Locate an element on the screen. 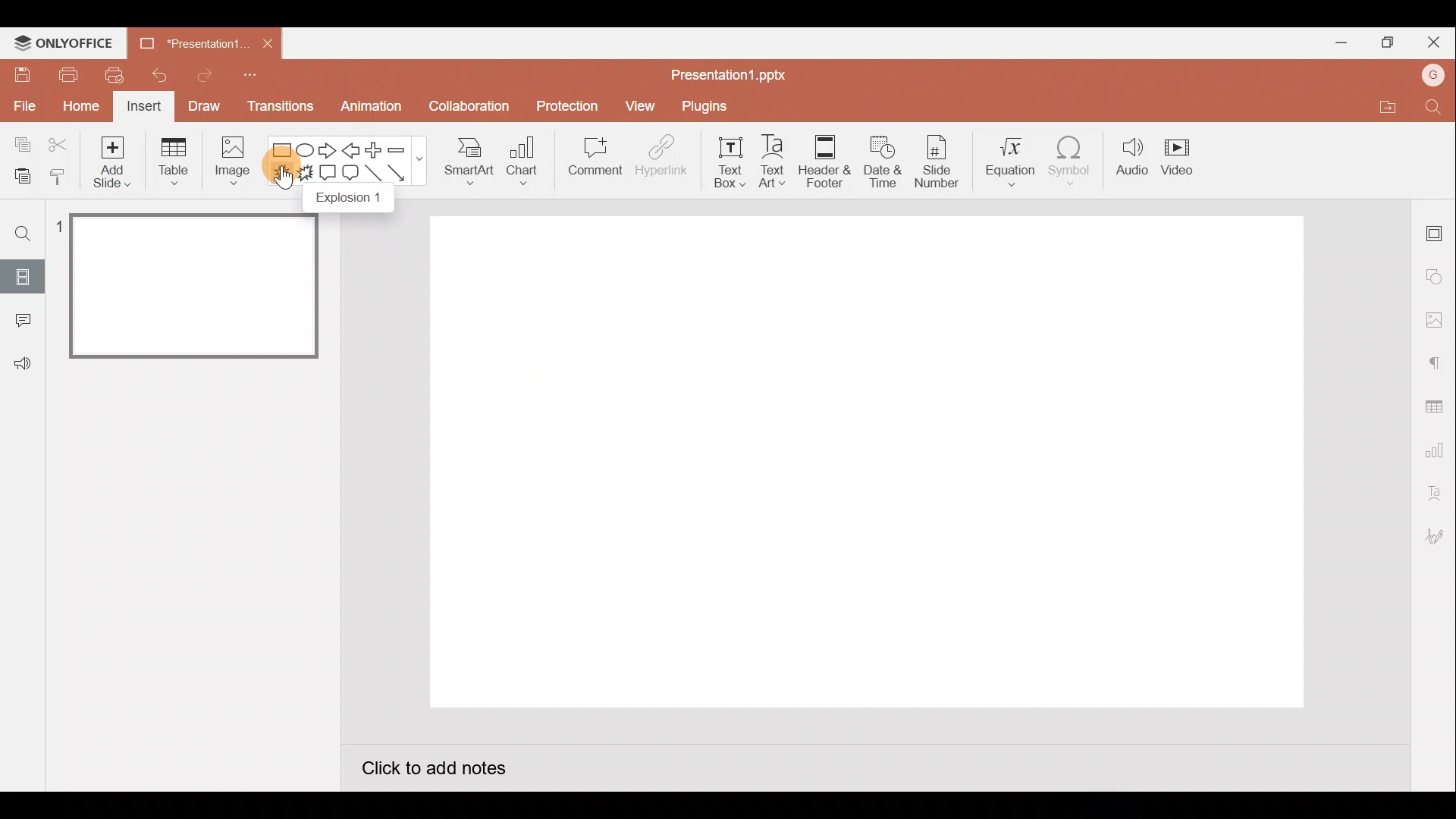 This screenshot has width=1456, height=819. Date & time is located at coordinates (881, 162).